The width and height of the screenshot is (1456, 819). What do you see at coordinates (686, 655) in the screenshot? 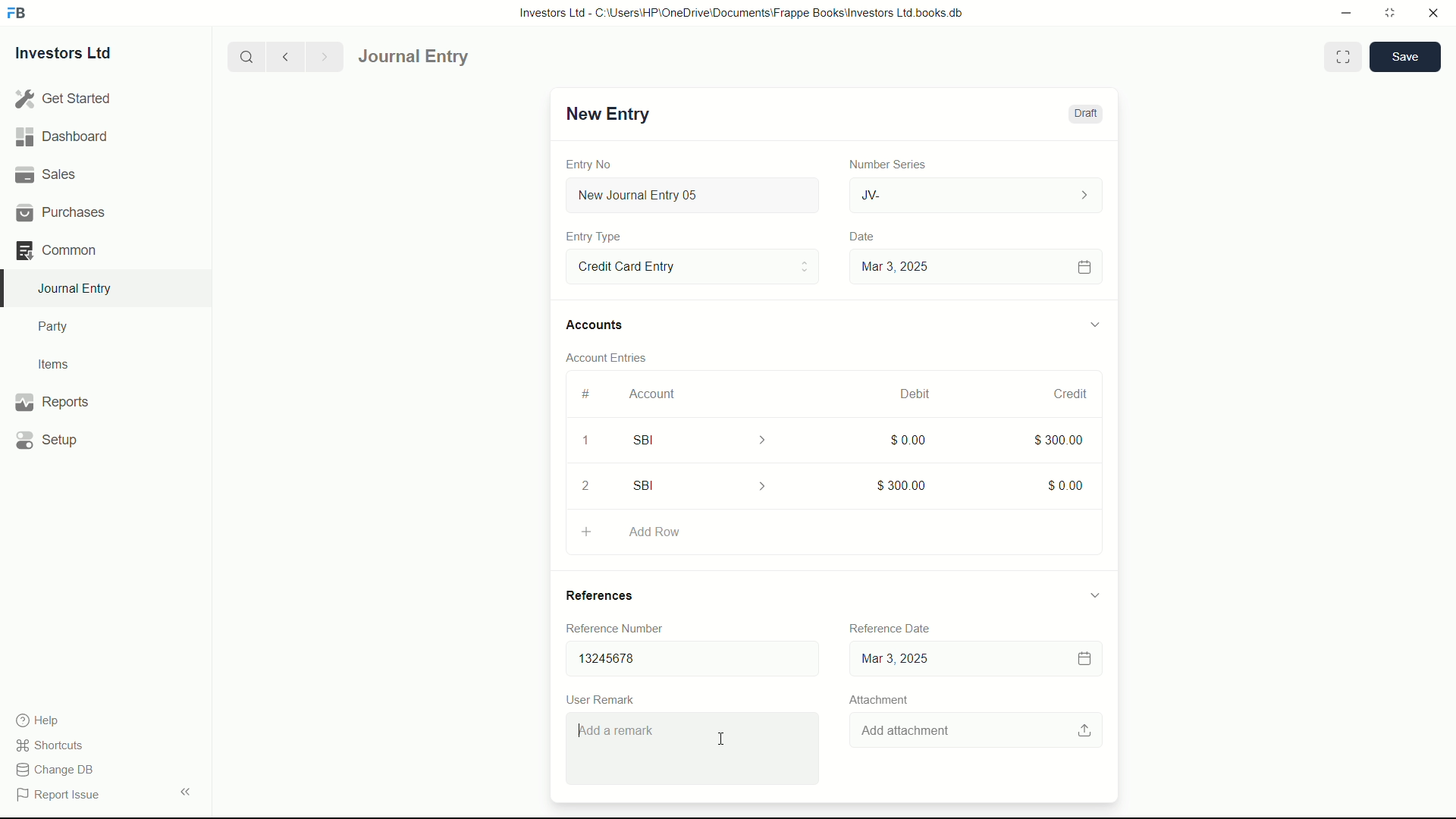
I see `13245678` at bounding box center [686, 655].